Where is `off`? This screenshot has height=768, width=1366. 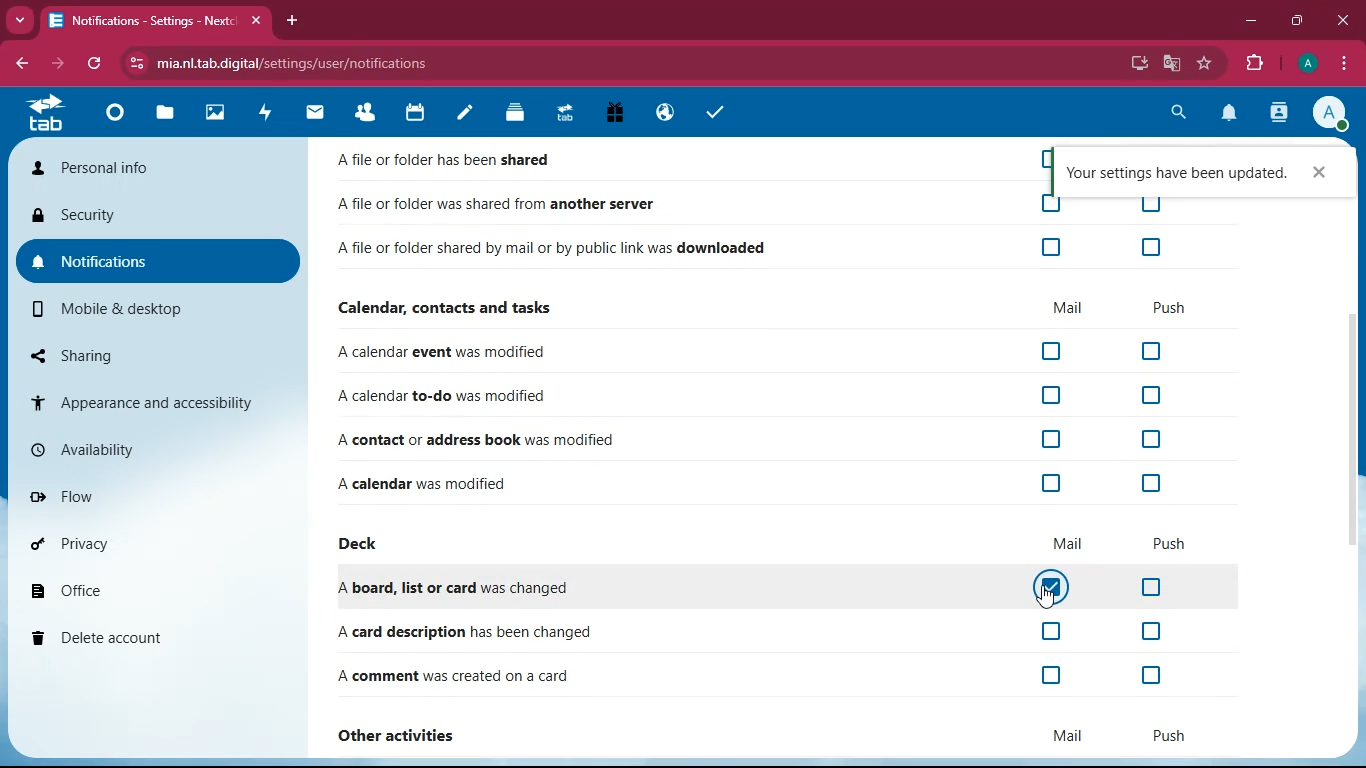 off is located at coordinates (1042, 159).